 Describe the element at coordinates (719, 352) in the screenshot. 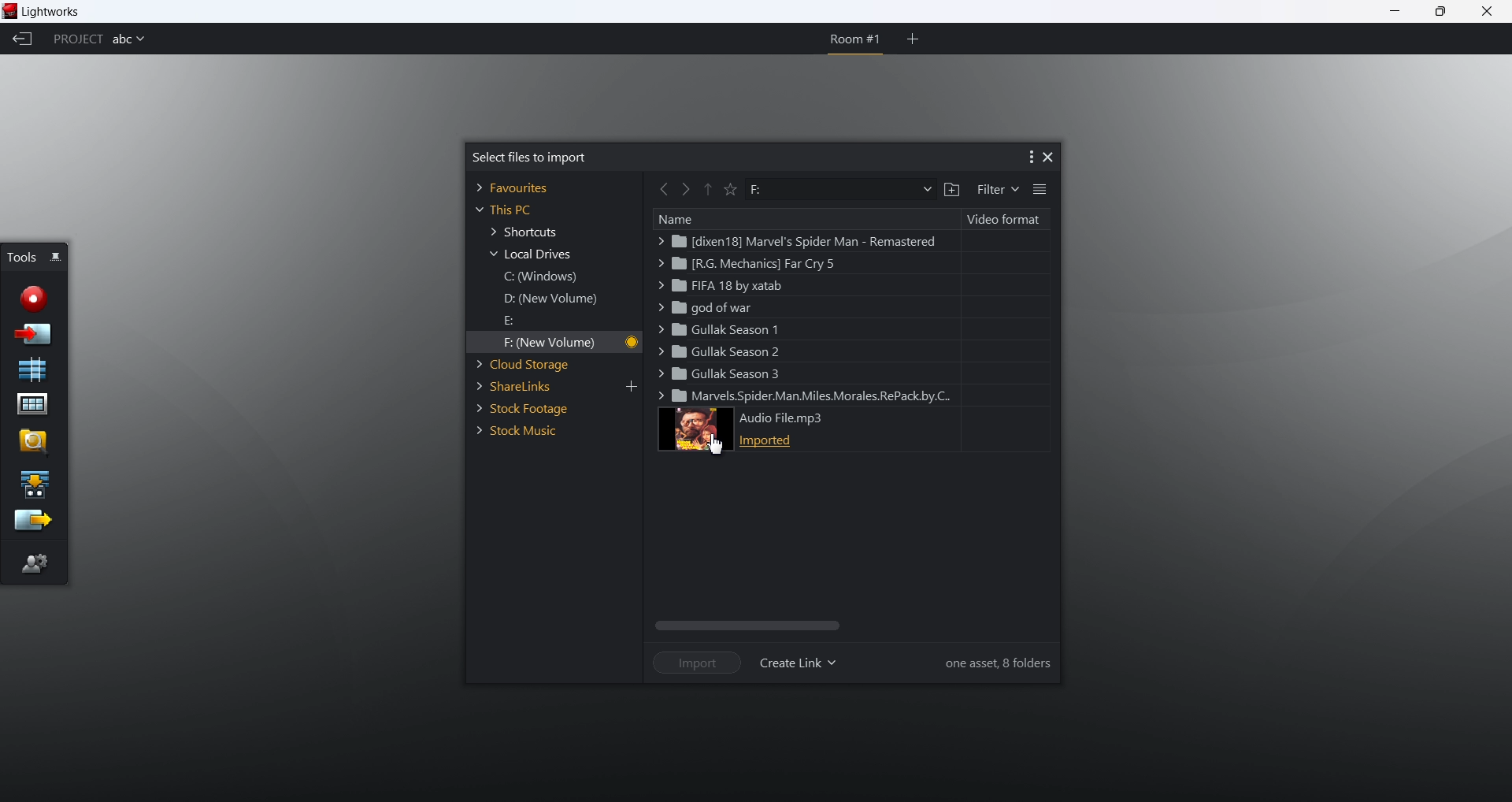

I see `gullak season2` at that location.